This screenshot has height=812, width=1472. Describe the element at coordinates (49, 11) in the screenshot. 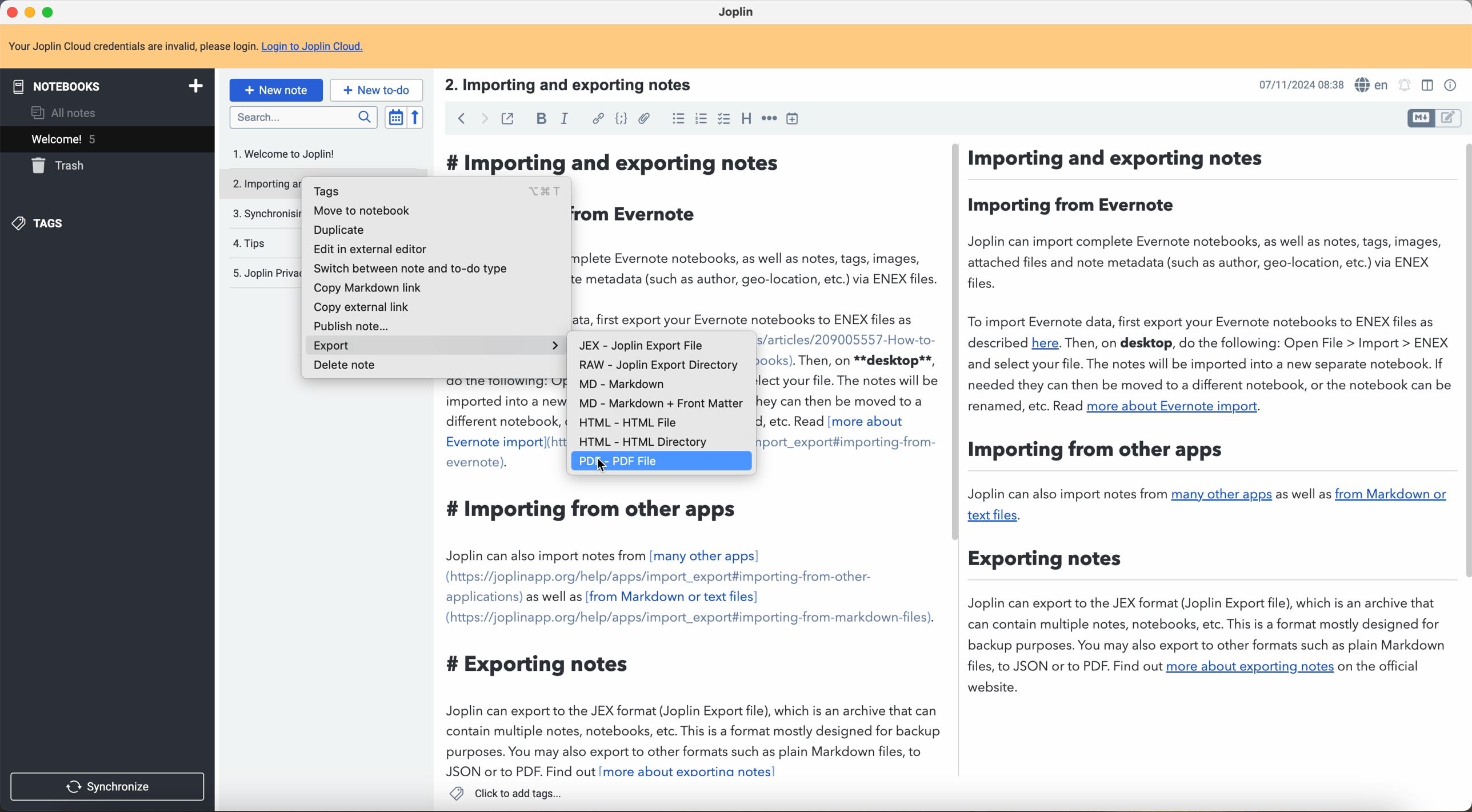

I see `maximize` at that location.